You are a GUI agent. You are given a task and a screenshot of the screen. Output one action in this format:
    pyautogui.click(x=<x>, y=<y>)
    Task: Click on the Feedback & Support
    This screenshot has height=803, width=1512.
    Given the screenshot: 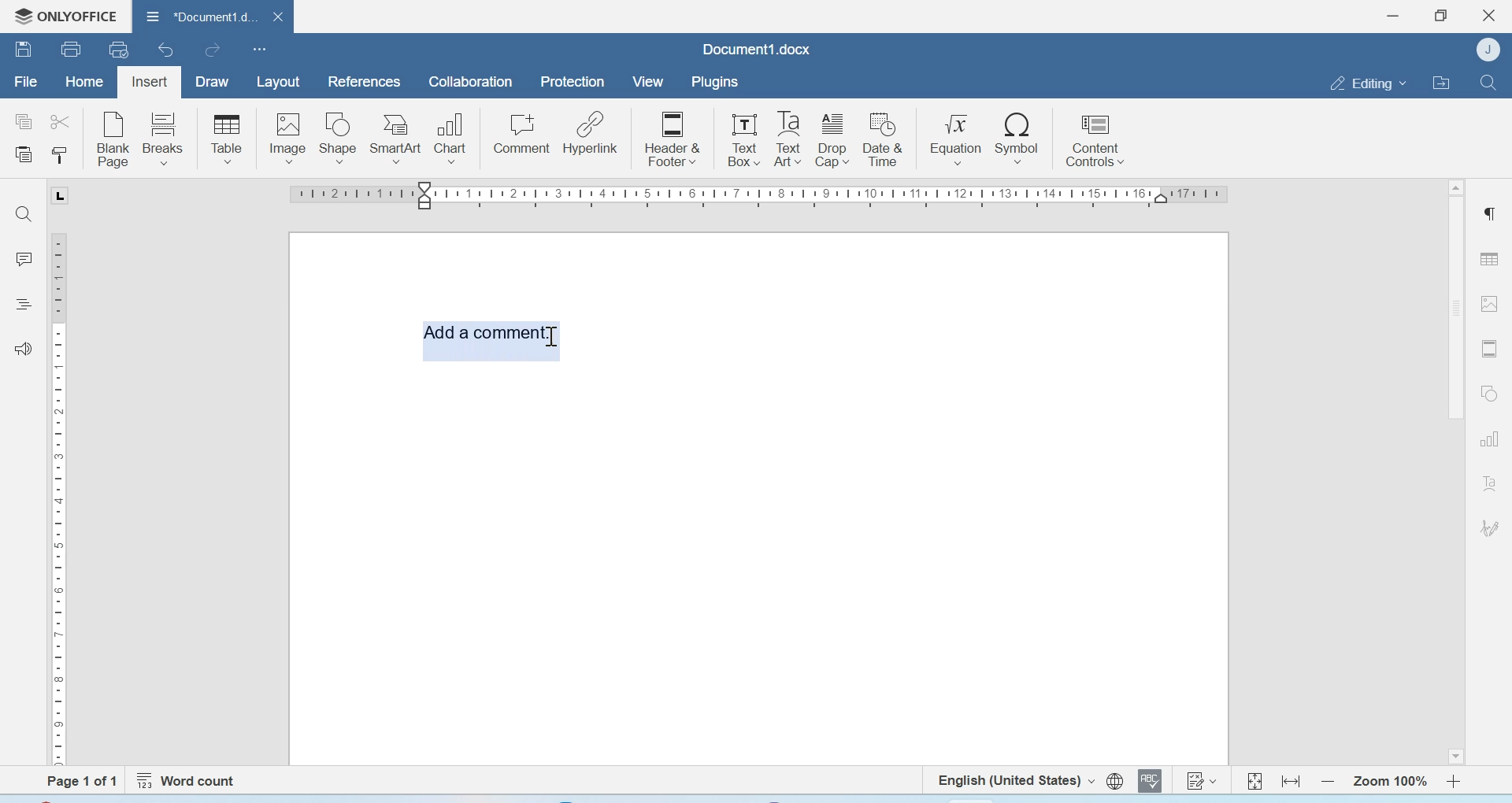 What is the action you would take?
    pyautogui.click(x=24, y=348)
    